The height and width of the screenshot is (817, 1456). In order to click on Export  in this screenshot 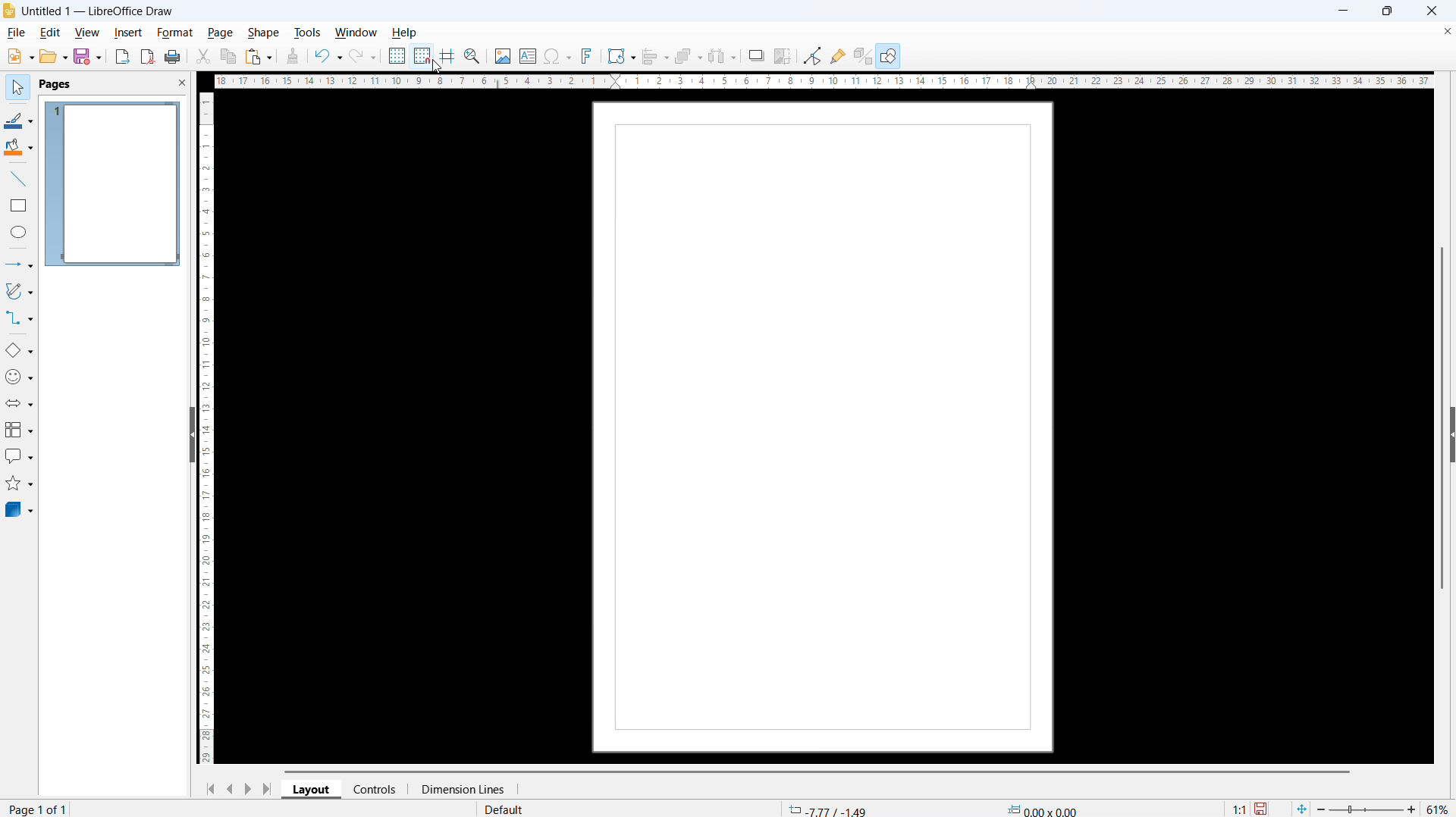, I will do `click(123, 55)`.